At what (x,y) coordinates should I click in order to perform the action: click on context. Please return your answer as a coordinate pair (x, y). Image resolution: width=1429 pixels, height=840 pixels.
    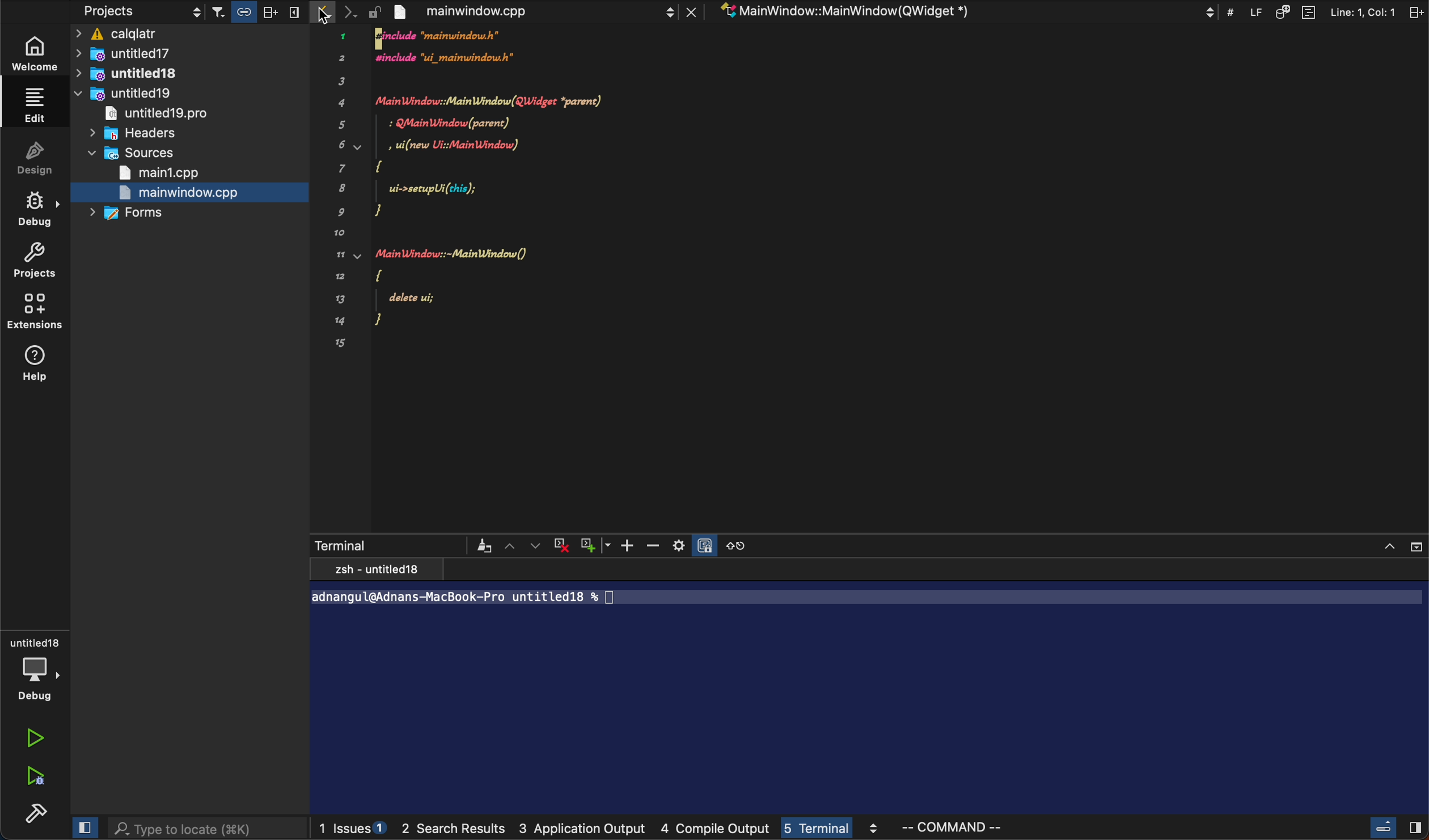
    Looking at the image, I should click on (963, 11).